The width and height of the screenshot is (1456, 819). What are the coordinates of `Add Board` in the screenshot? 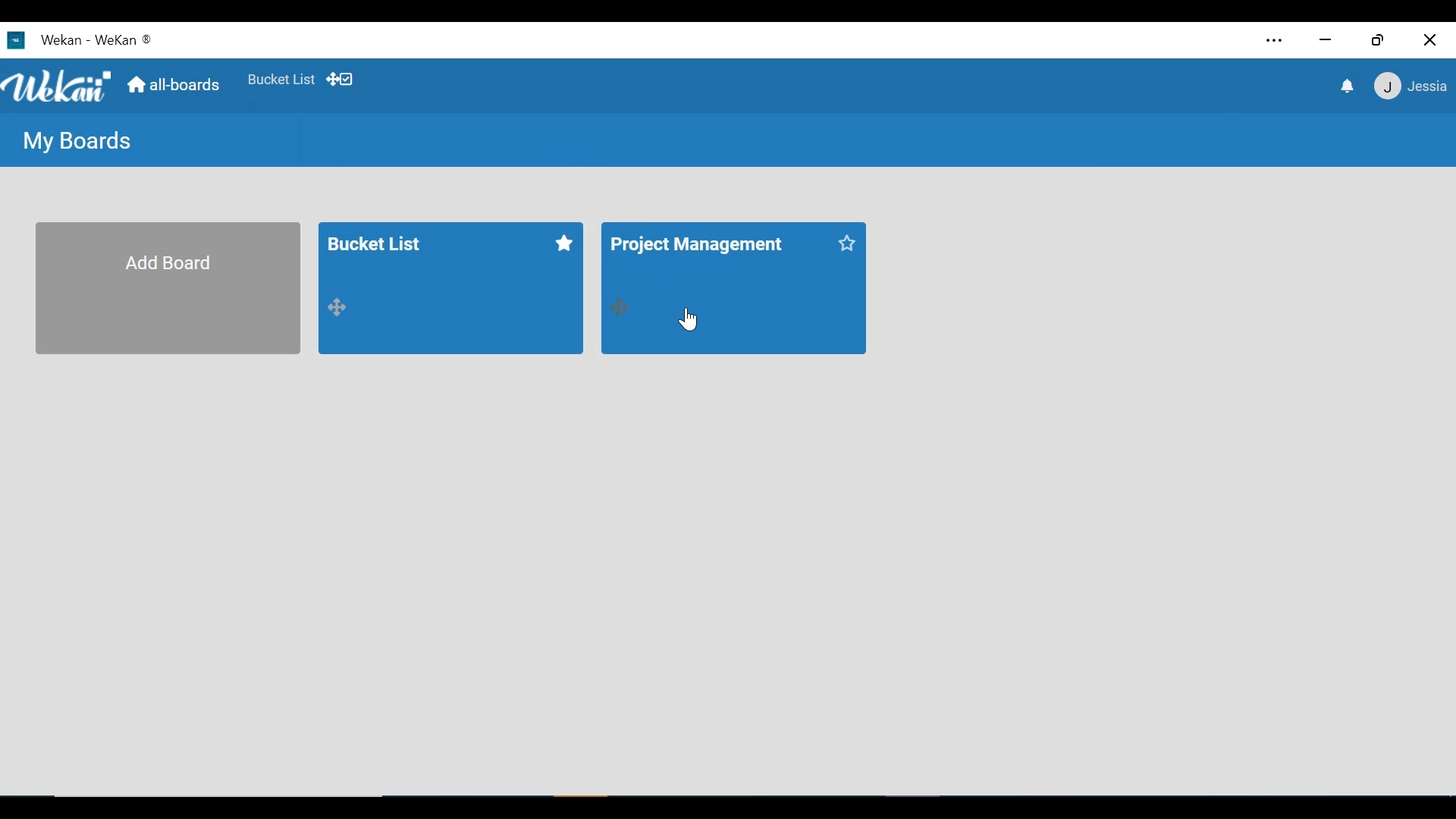 It's located at (169, 288).